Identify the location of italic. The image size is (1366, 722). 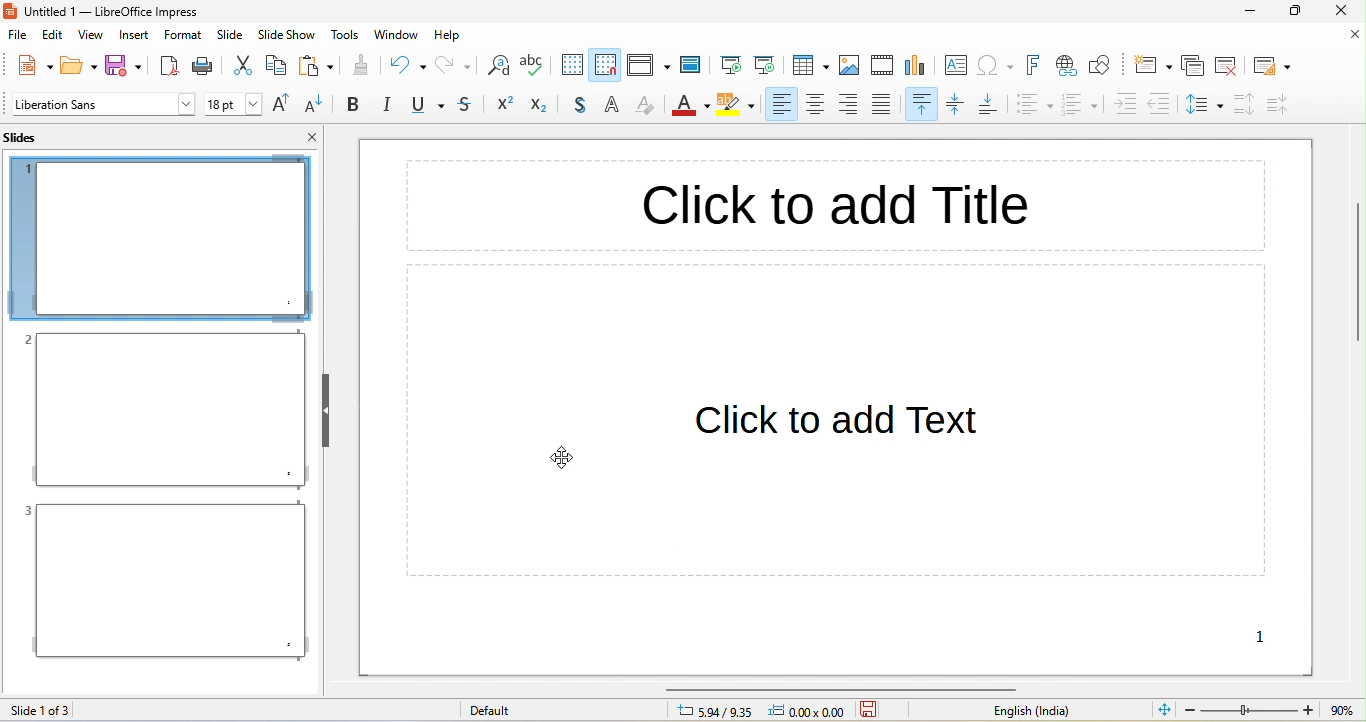
(386, 105).